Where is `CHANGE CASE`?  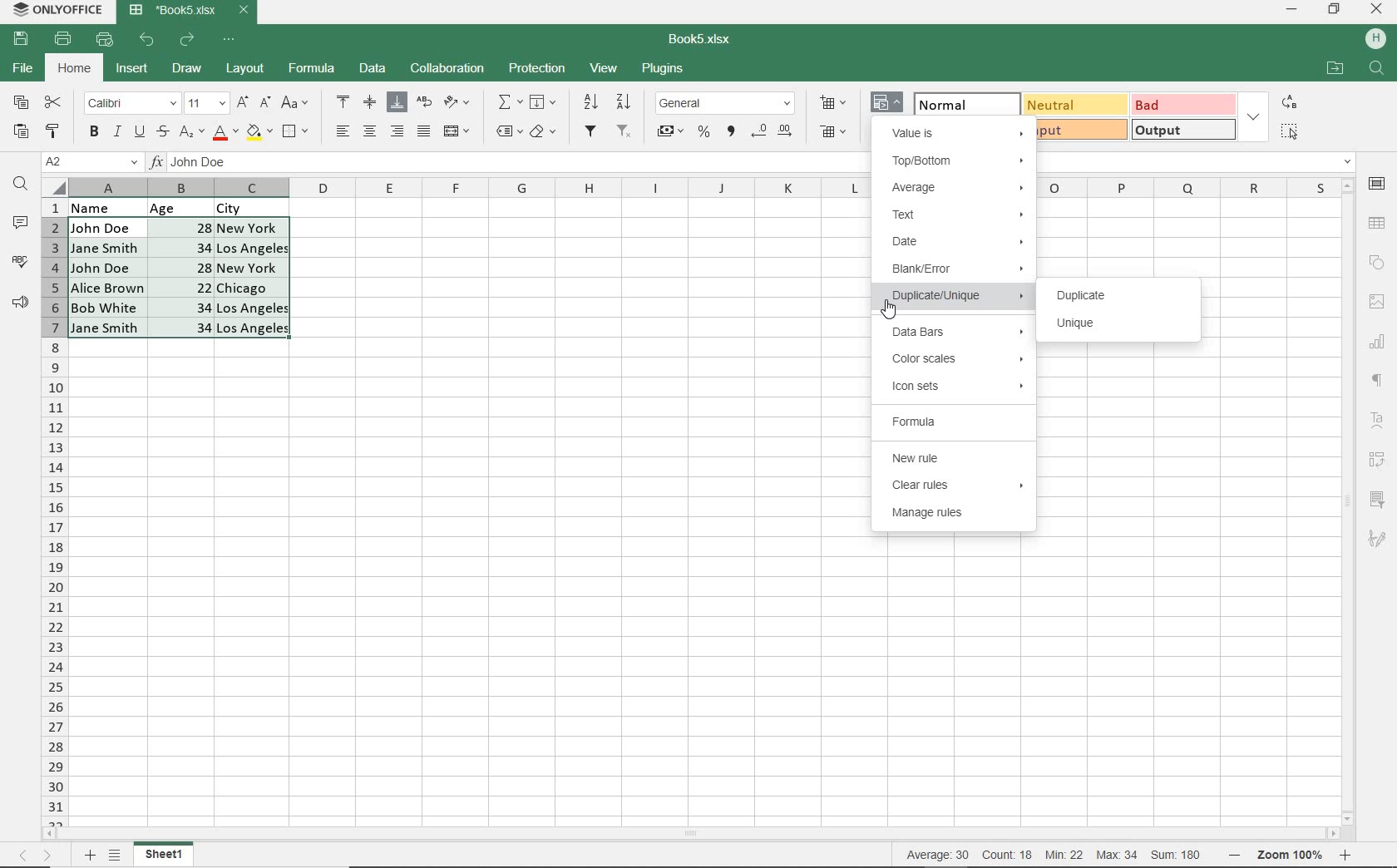 CHANGE CASE is located at coordinates (296, 103).